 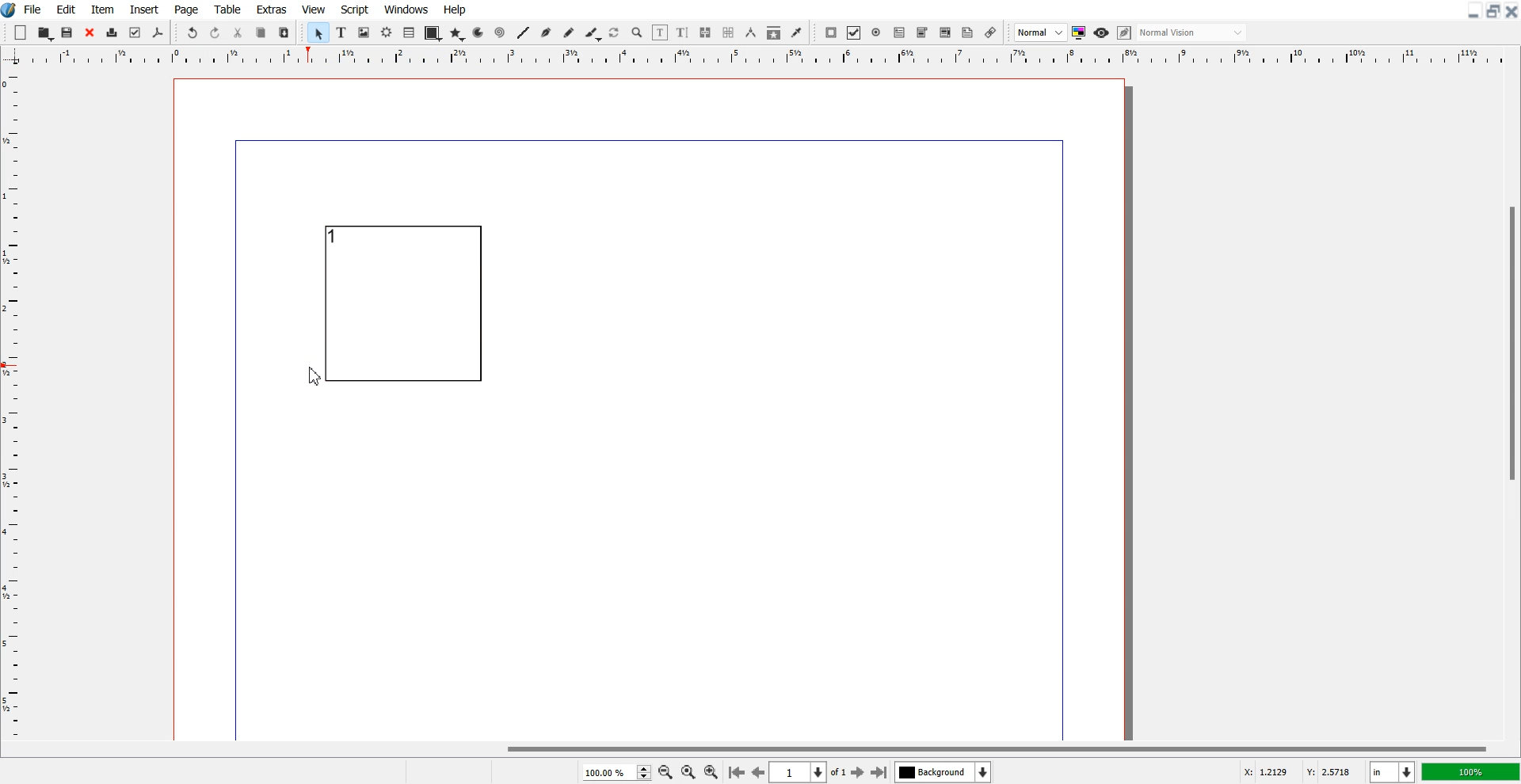 I want to click on Measurements, so click(x=752, y=32).